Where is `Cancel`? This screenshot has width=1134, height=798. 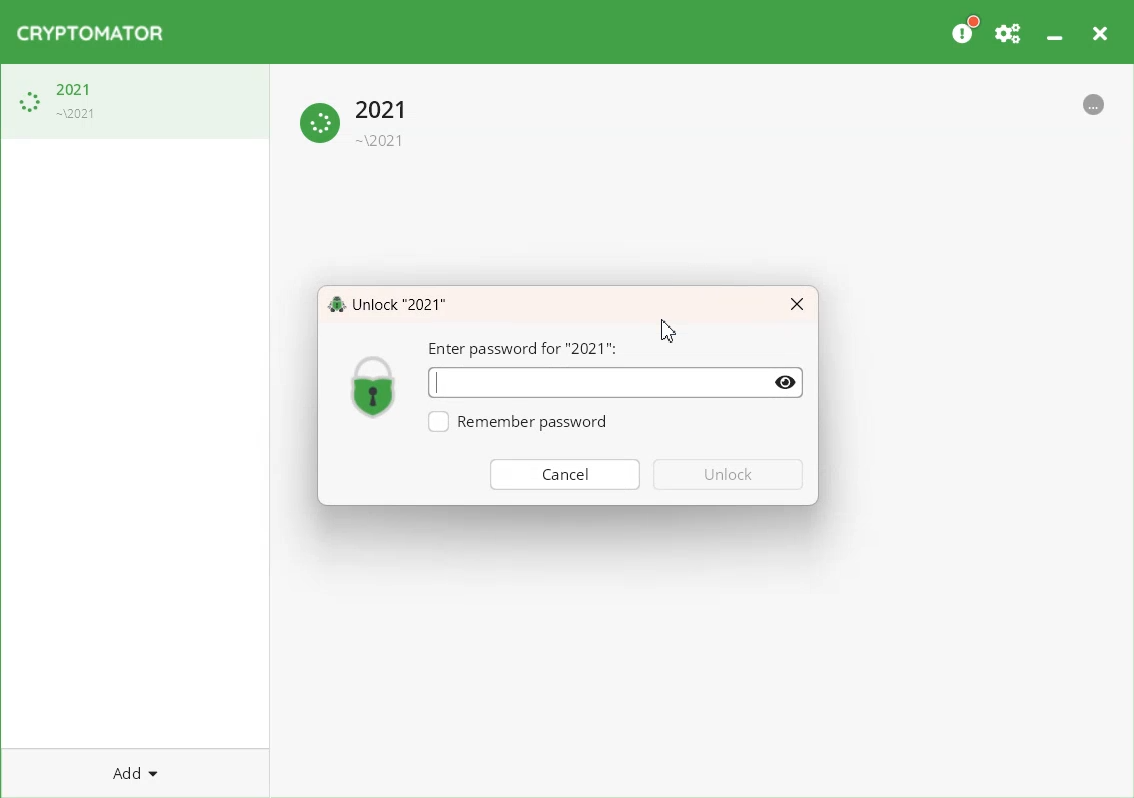
Cancel is located at coordinates (565, 473).